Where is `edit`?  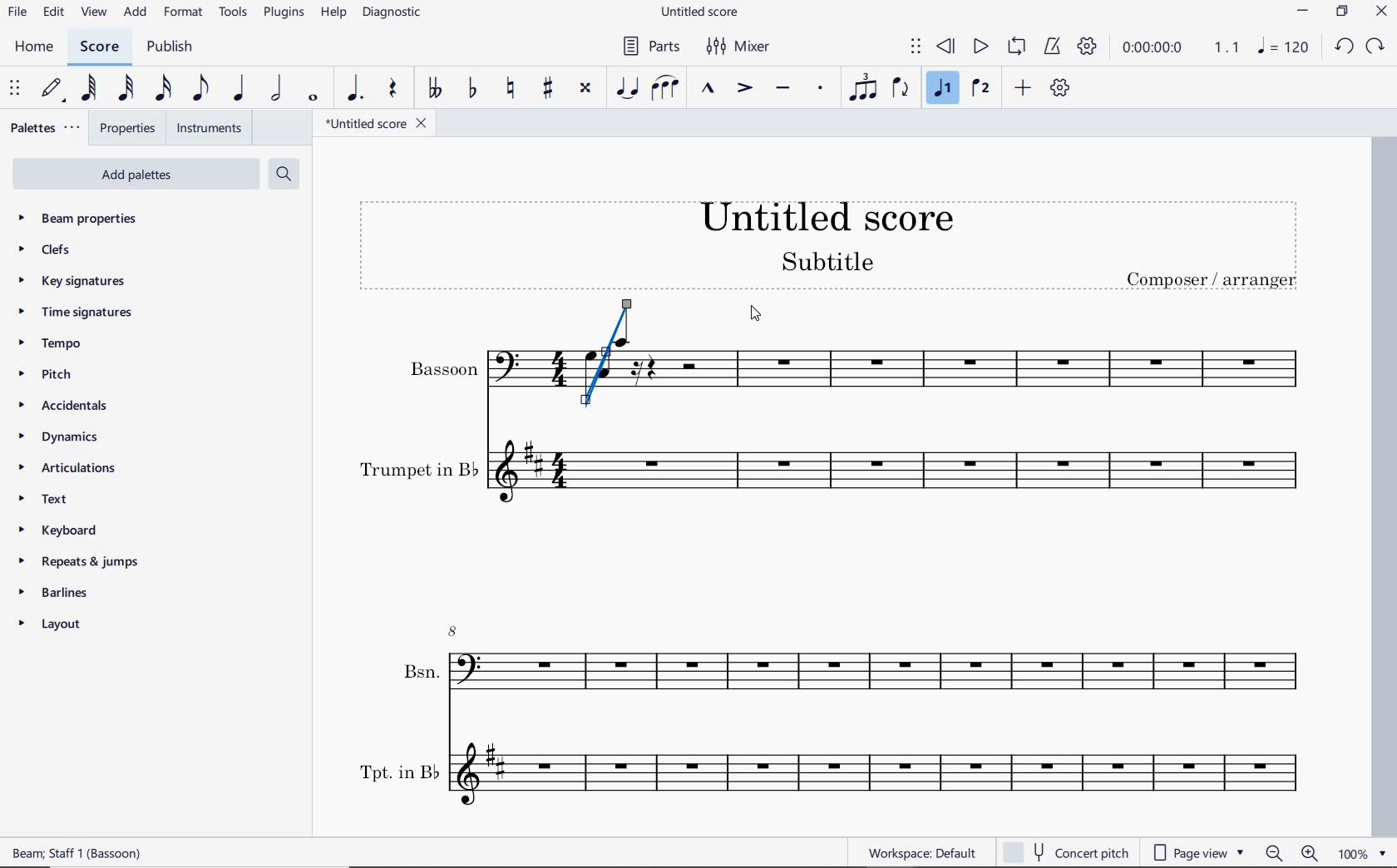
edit is located at coordinates (53, 14).